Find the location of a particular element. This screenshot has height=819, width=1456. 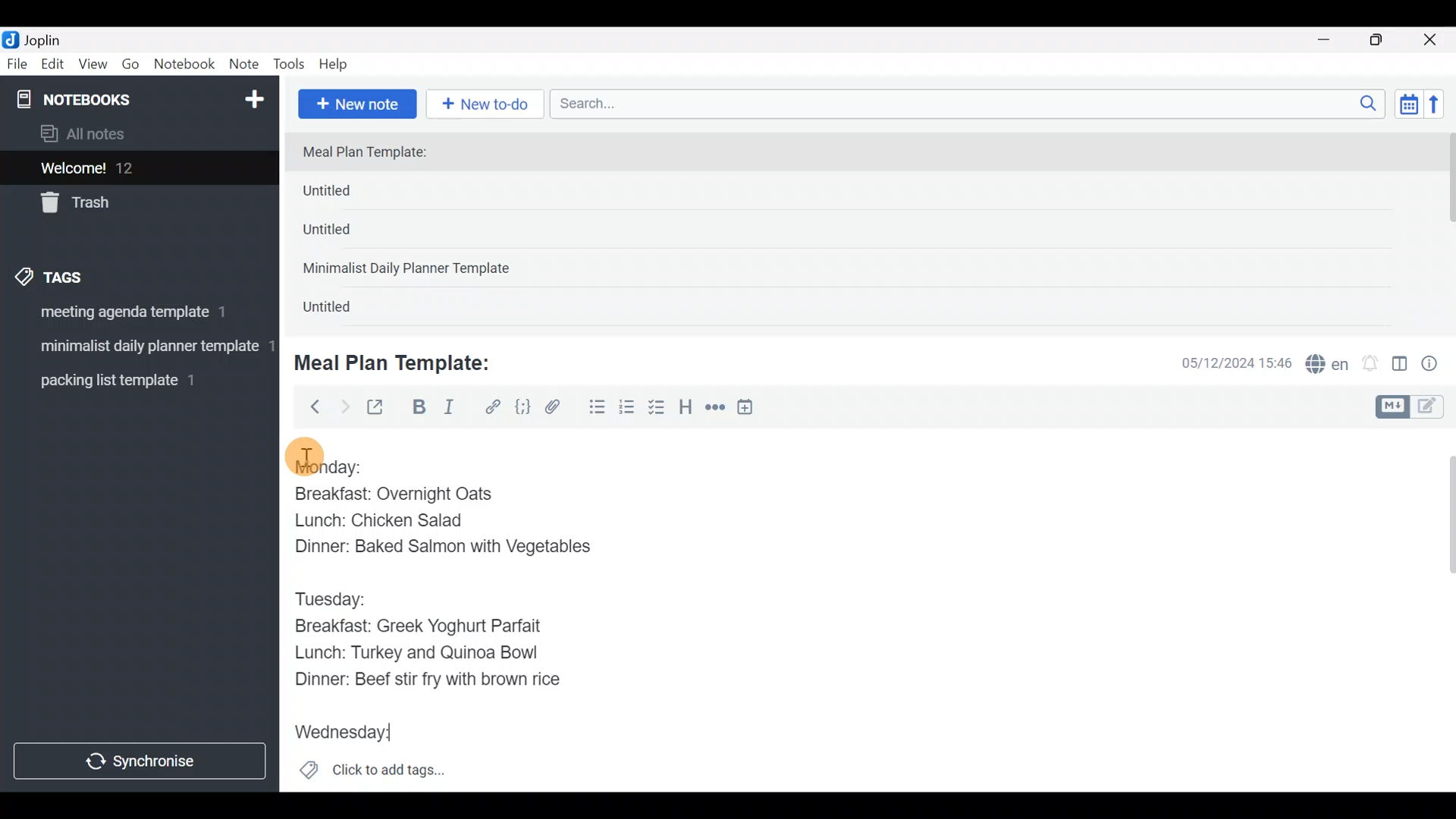

Note properties is located at coordinates (1436, 365).